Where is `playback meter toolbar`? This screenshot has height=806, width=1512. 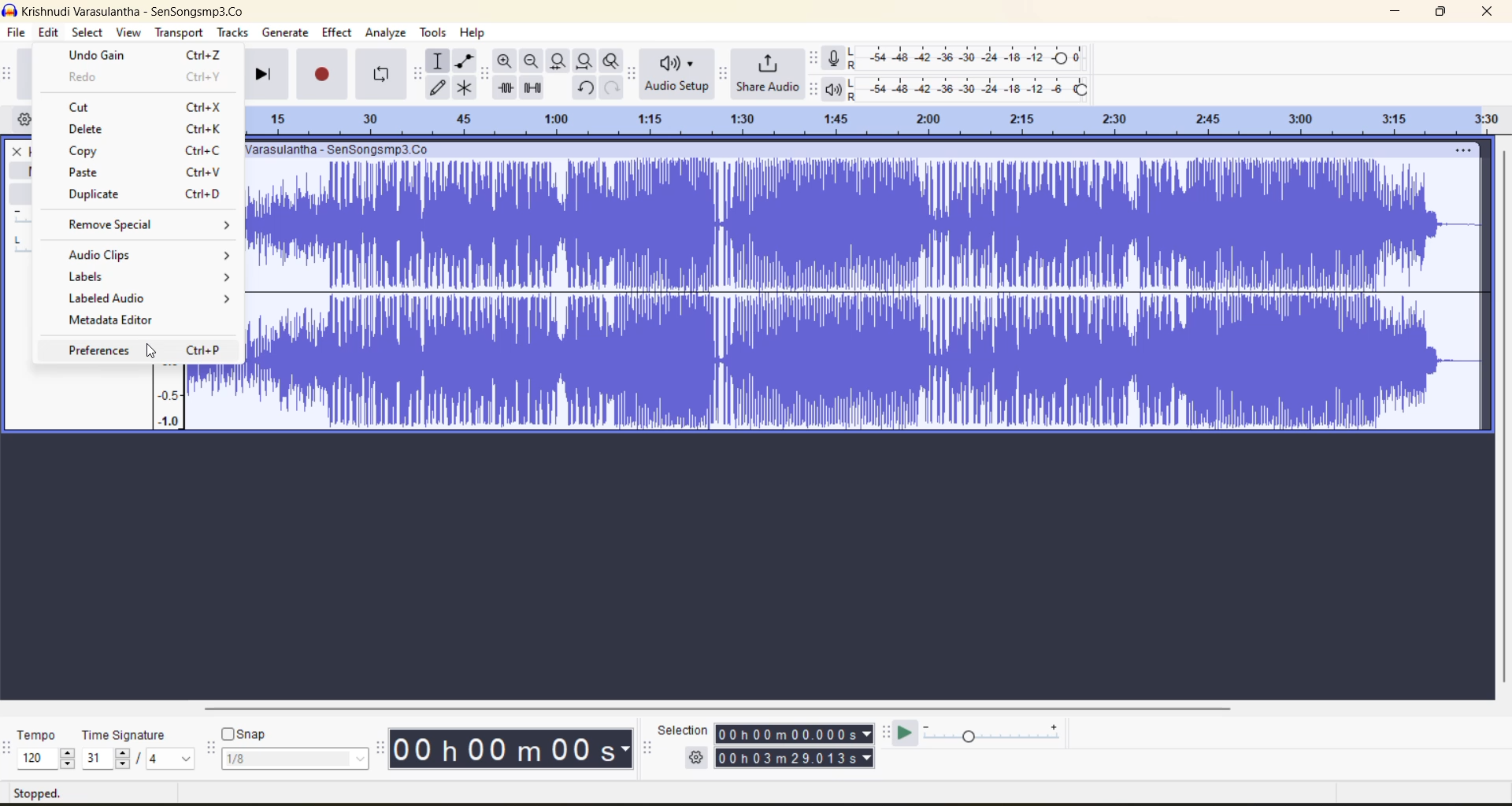 playback meter toolbar is located at coordinates (815, 89).